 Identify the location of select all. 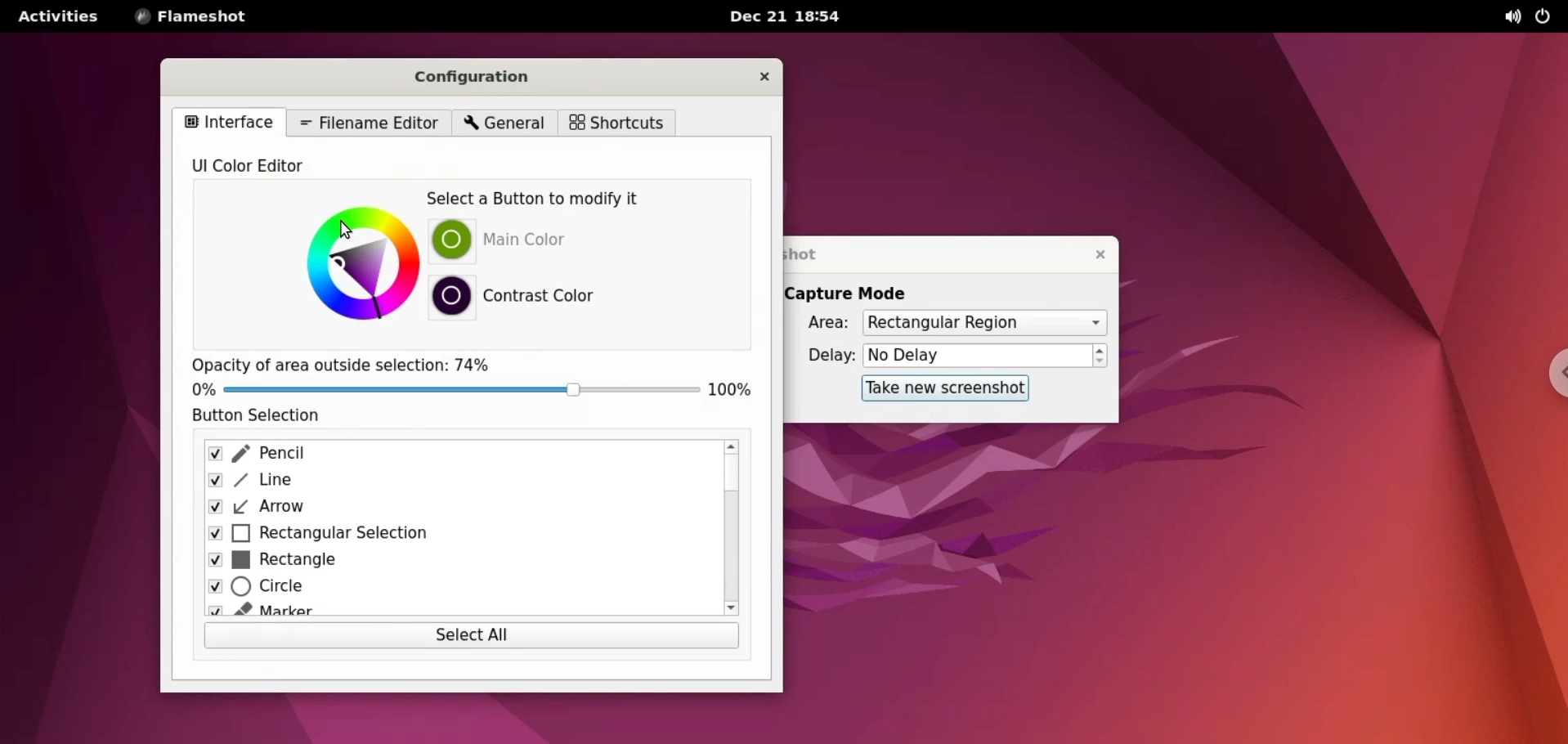
(473, 639).